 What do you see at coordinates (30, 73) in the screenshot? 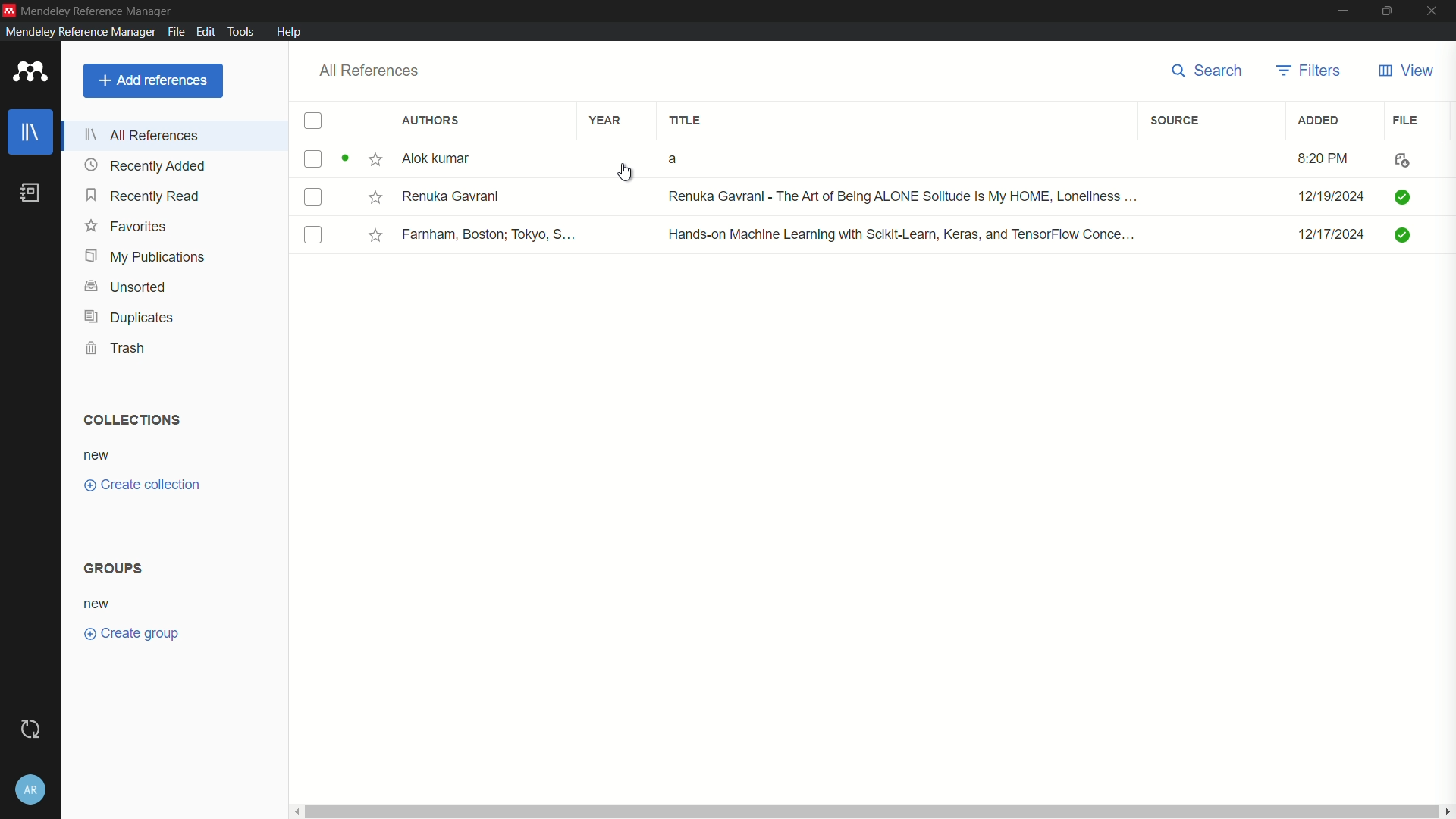
I see `app icon` at bounding box center [30, 73].